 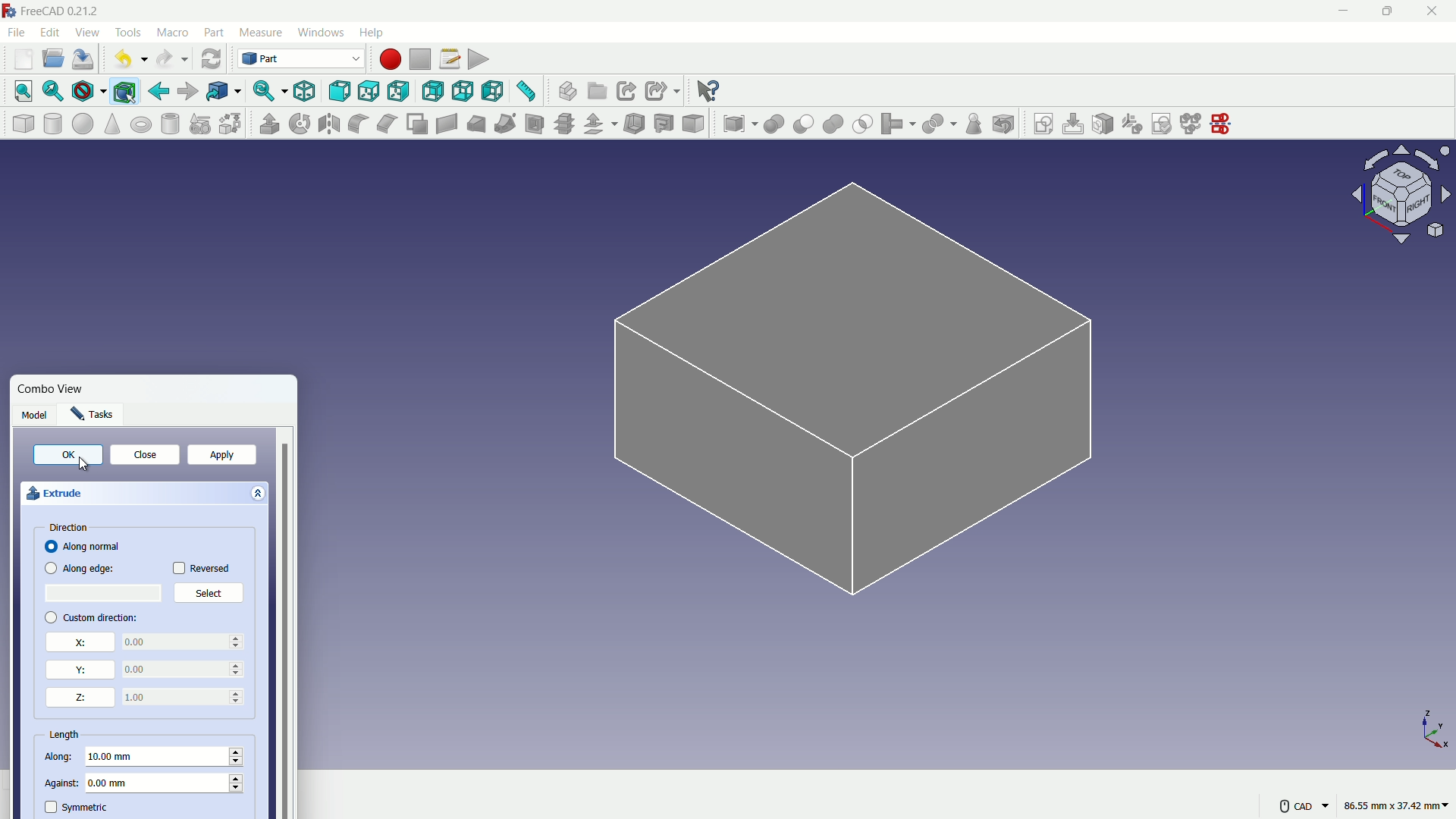 What do you see at coordinates (834, 125) in the screenshot?
I see `union` at bounding box center [834, 125].